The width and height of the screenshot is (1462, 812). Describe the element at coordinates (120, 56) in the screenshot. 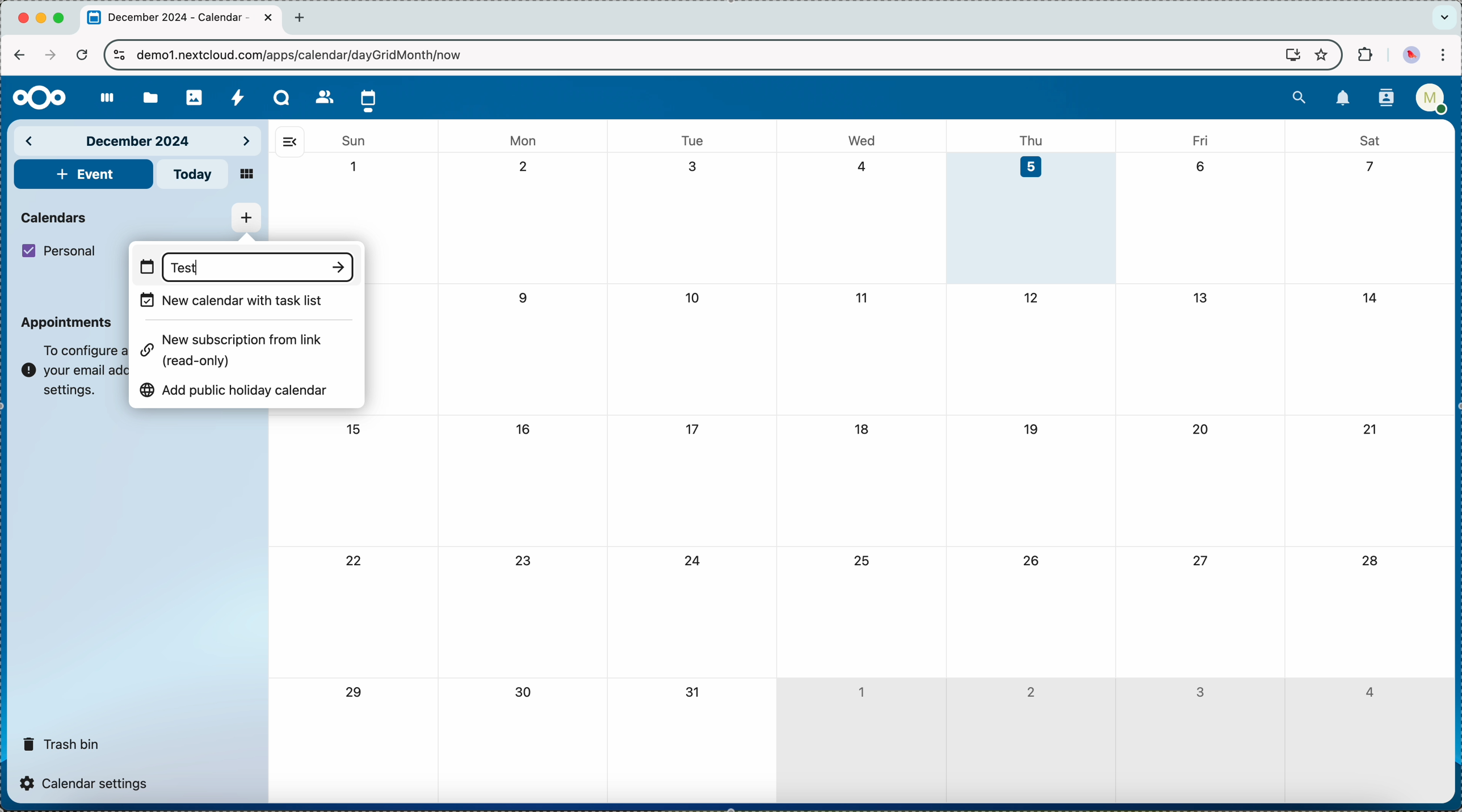

I see `controls` at that location.